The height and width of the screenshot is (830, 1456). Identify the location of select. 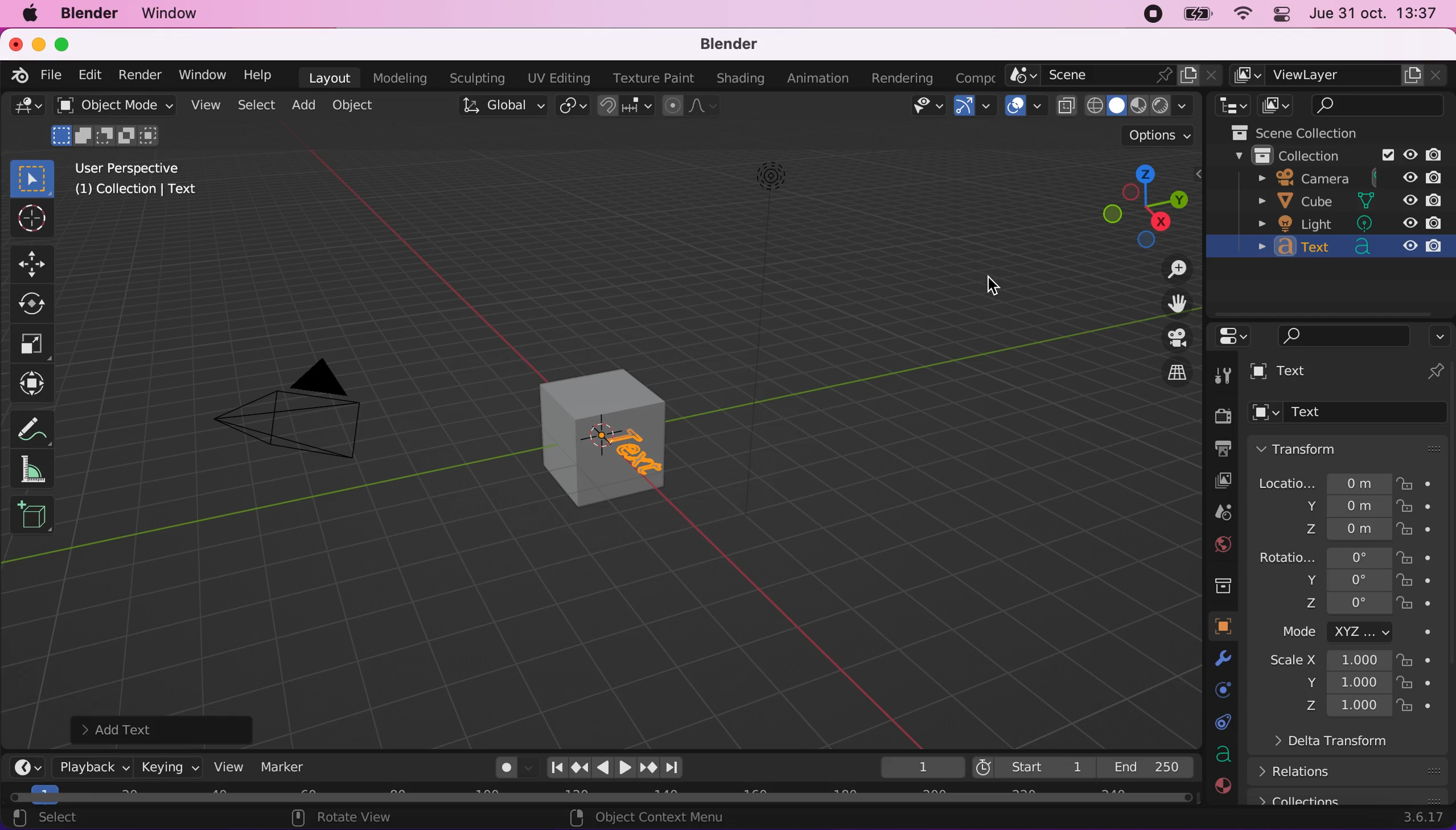
(255, 106).